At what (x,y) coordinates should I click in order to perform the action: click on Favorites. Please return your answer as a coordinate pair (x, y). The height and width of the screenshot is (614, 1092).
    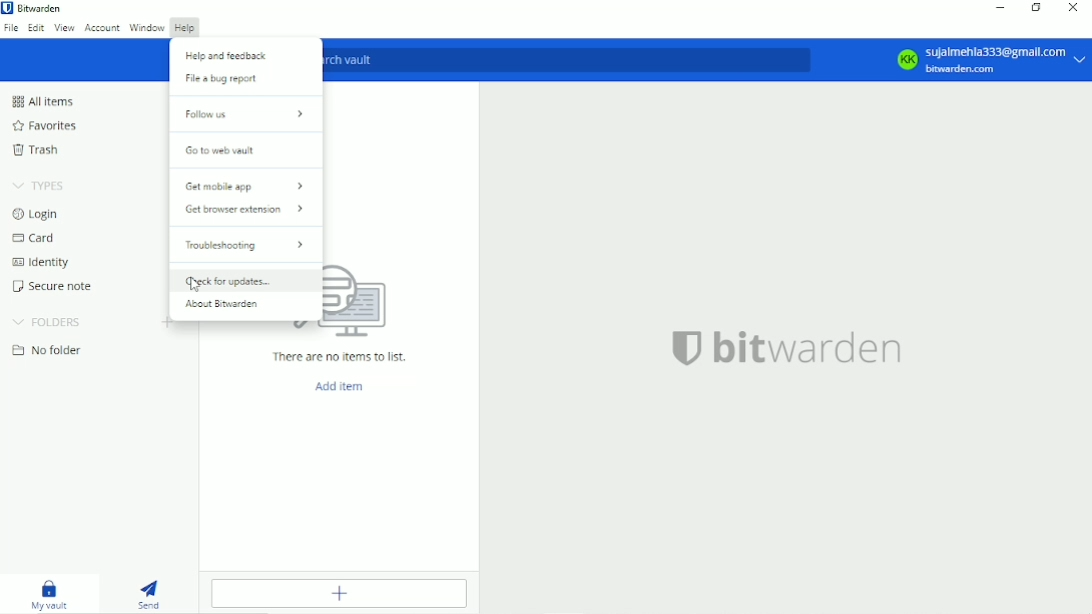
    Looking at the image, I should click on (48, 123).